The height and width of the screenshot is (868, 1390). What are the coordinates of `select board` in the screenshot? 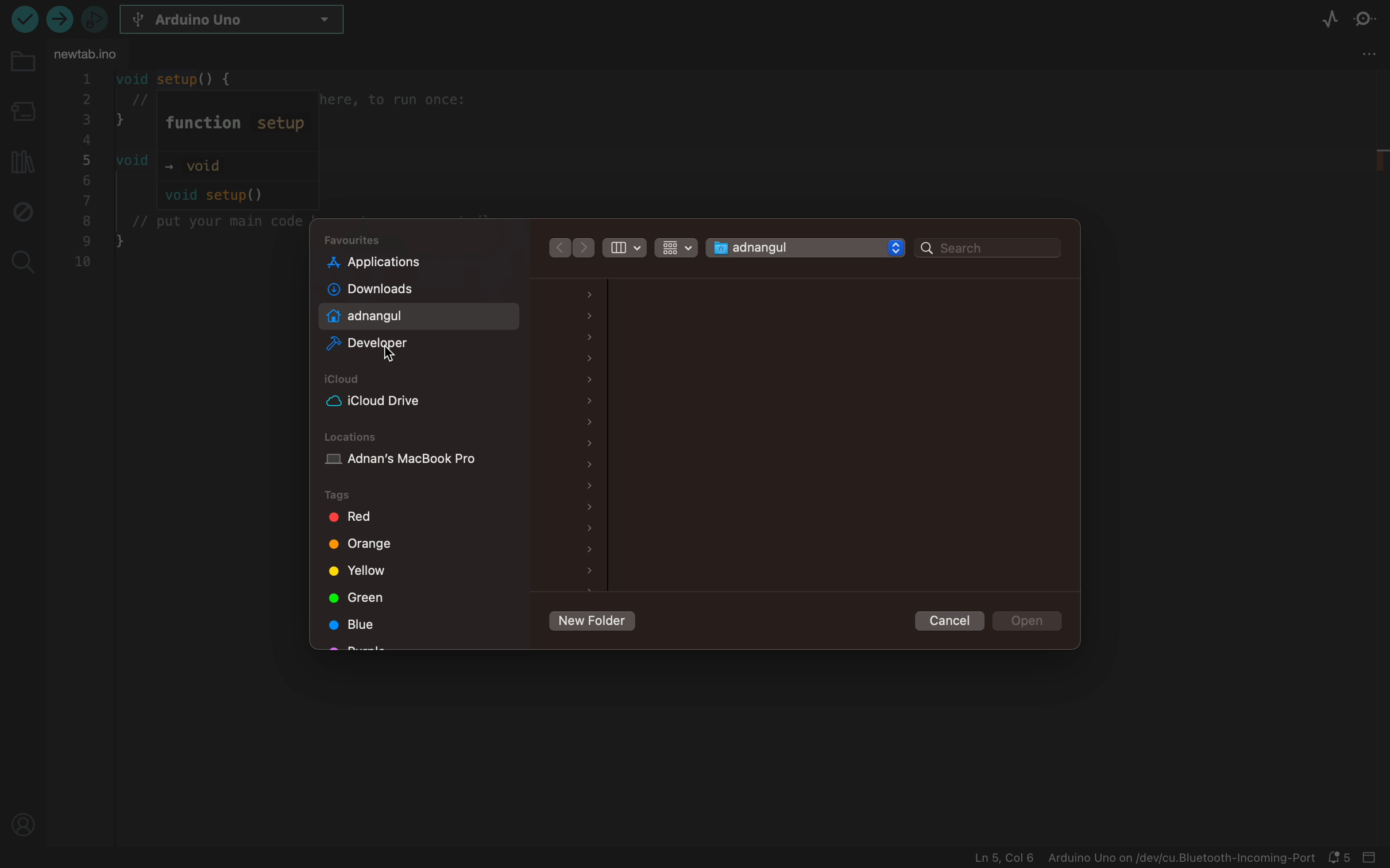 It's located at (242, 21).